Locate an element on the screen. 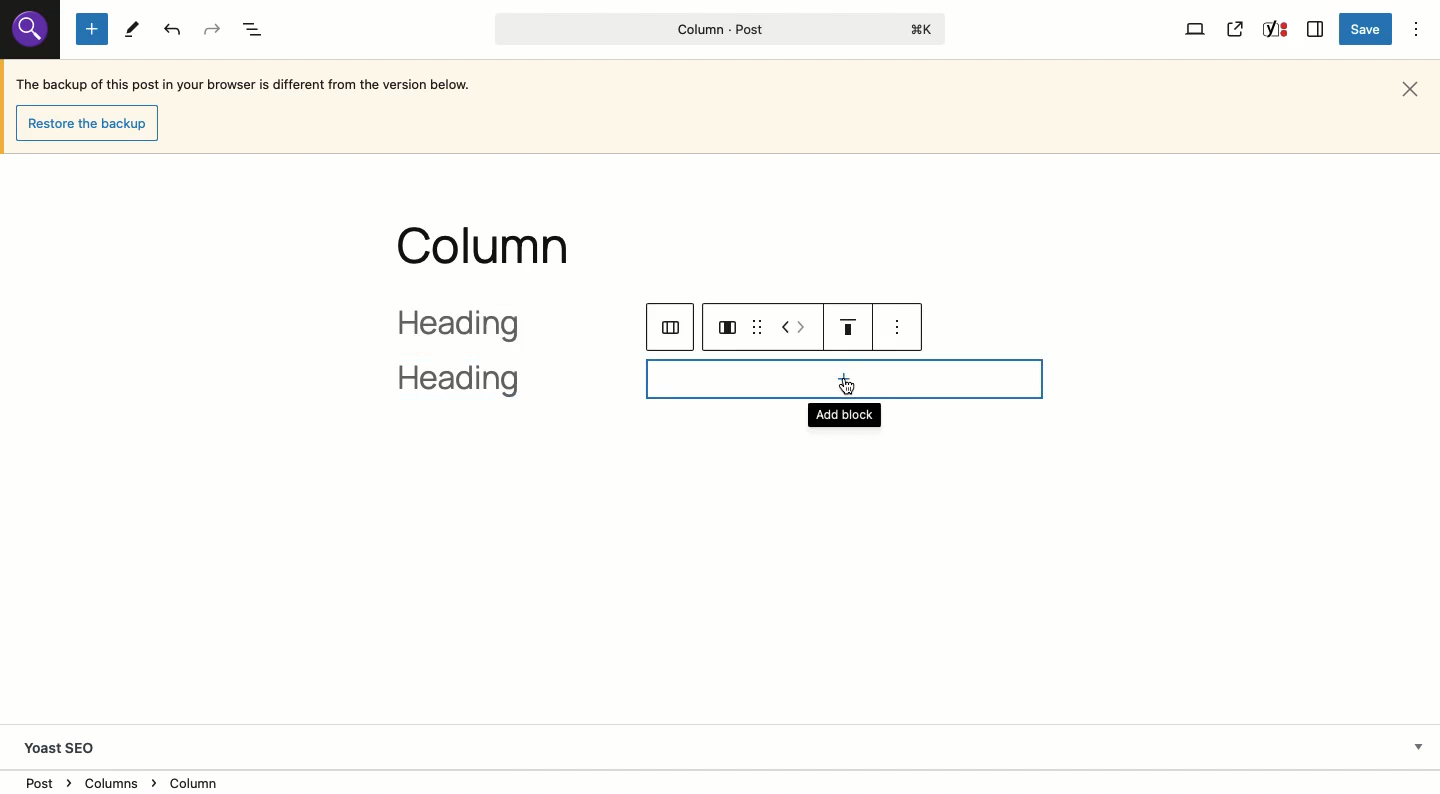 The width and height of the screenshot is (1440, 794). see options is located at coordinates (899, 327).